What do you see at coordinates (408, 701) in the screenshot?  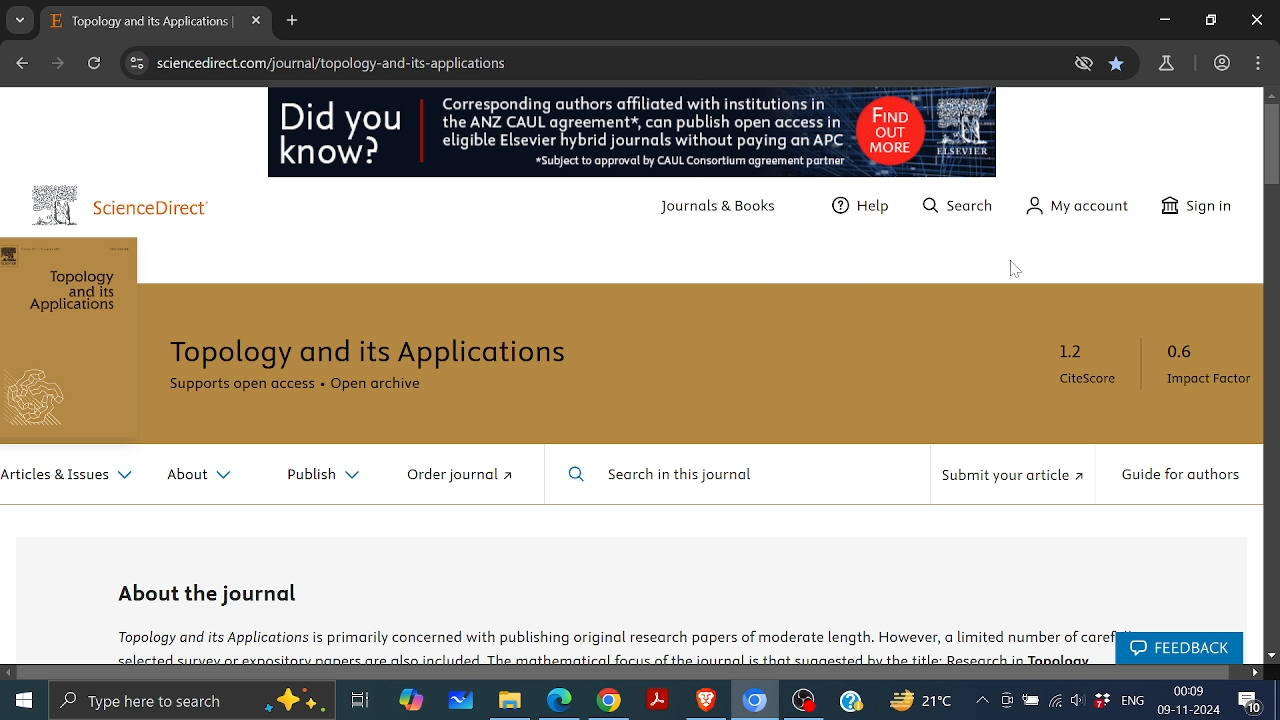 I see `Copilot` at bounding box center [408, 701].